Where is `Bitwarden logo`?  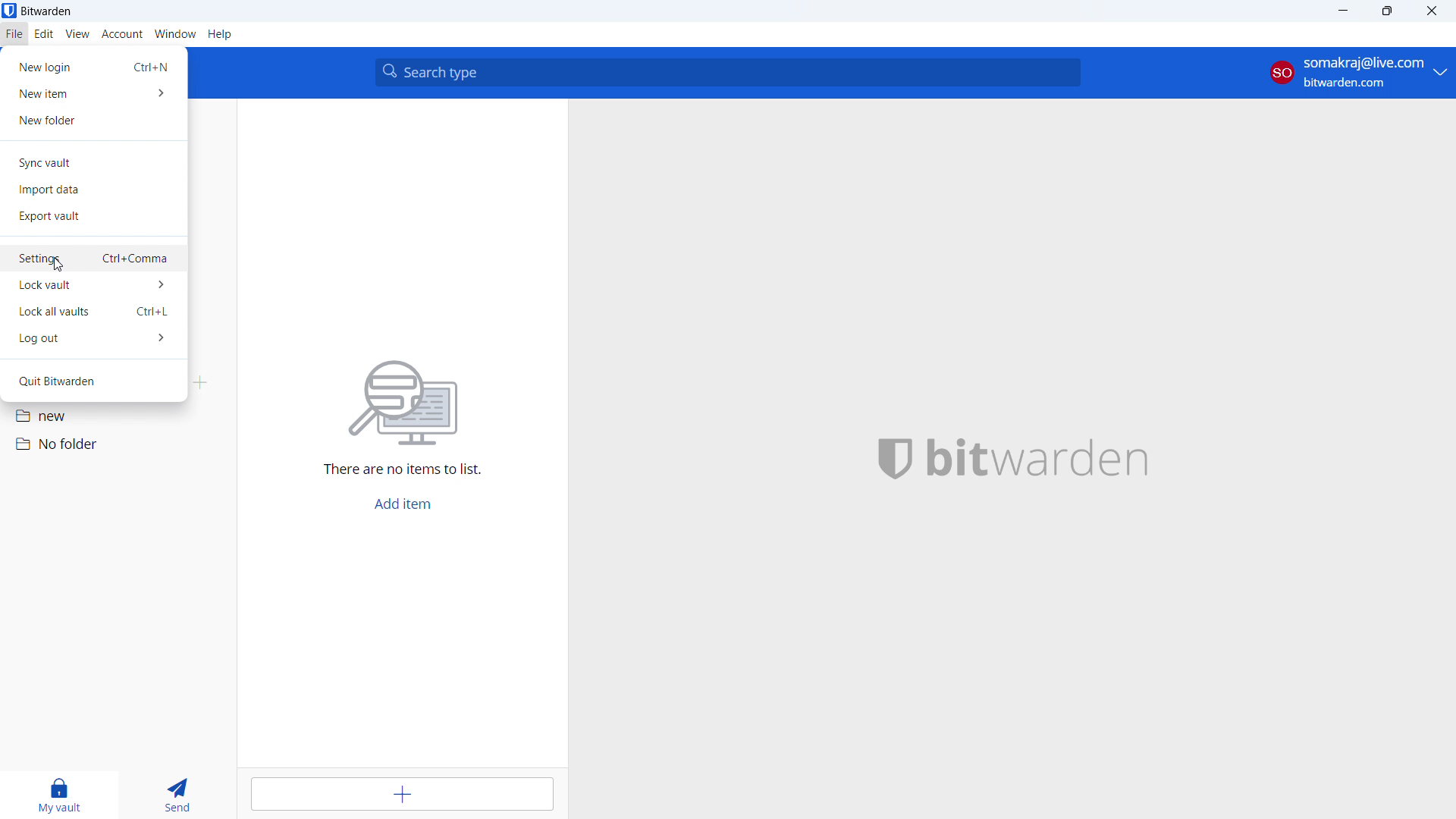
Bitwarden logo is located at coordinates (885, 460).